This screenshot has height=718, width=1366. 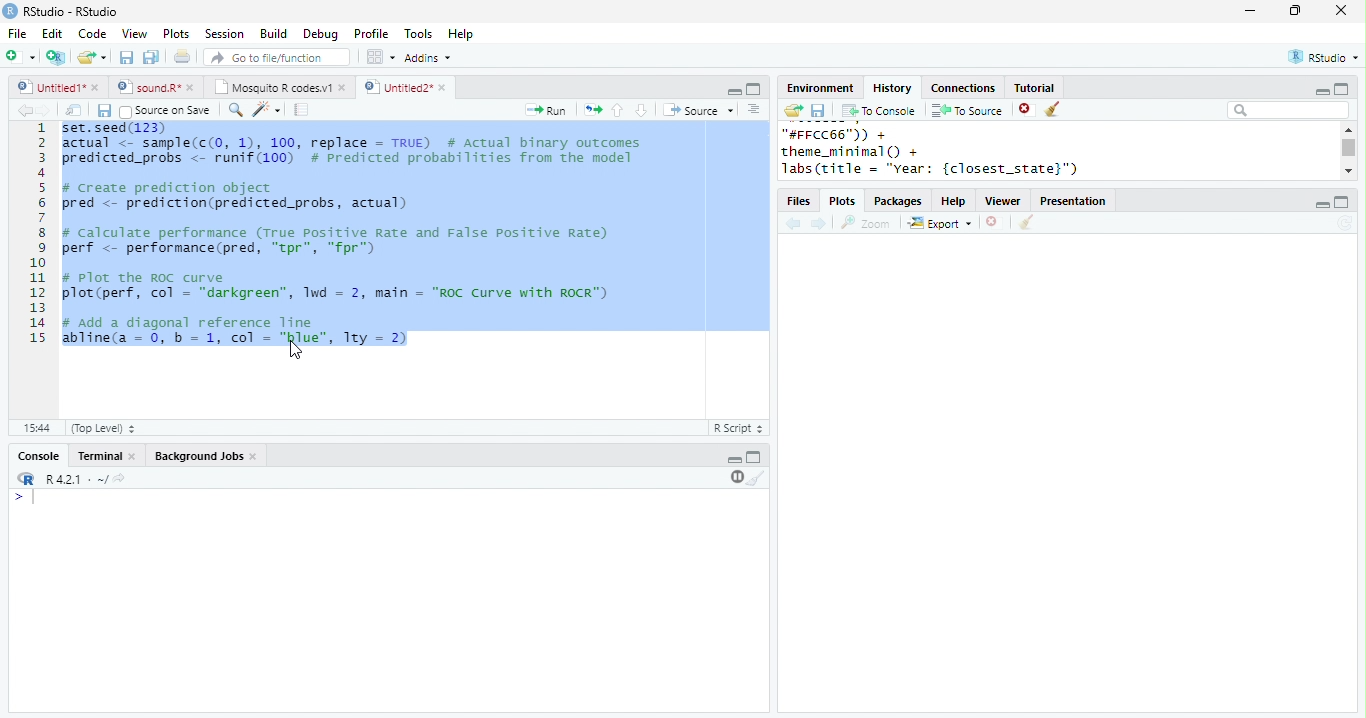 I want to click on maximize, so click(x=1340, y=88).